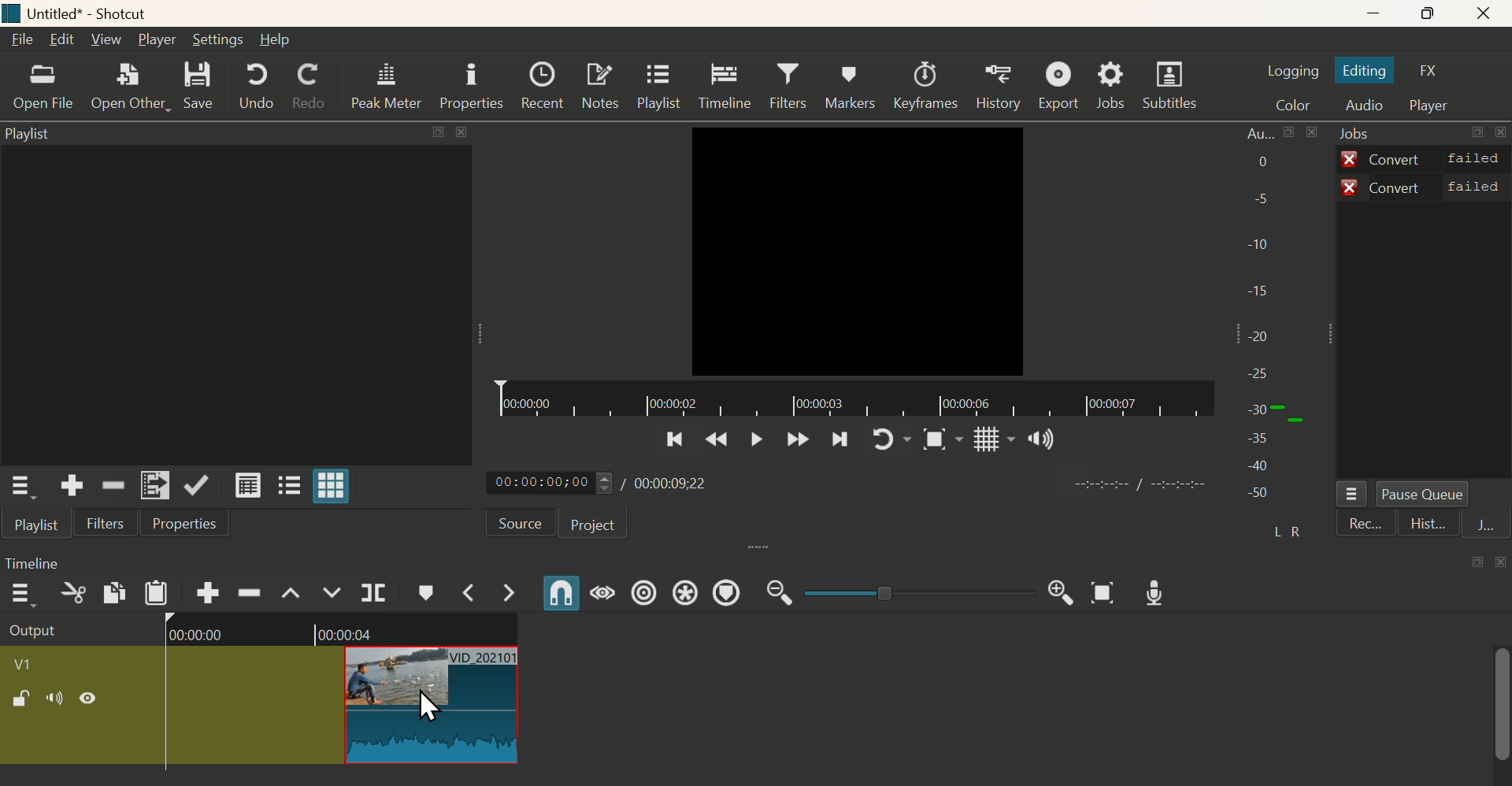  What do you see at coordinates (62, 43) in the screenshot?
I see `Edit` at bounding box center [62, 43].